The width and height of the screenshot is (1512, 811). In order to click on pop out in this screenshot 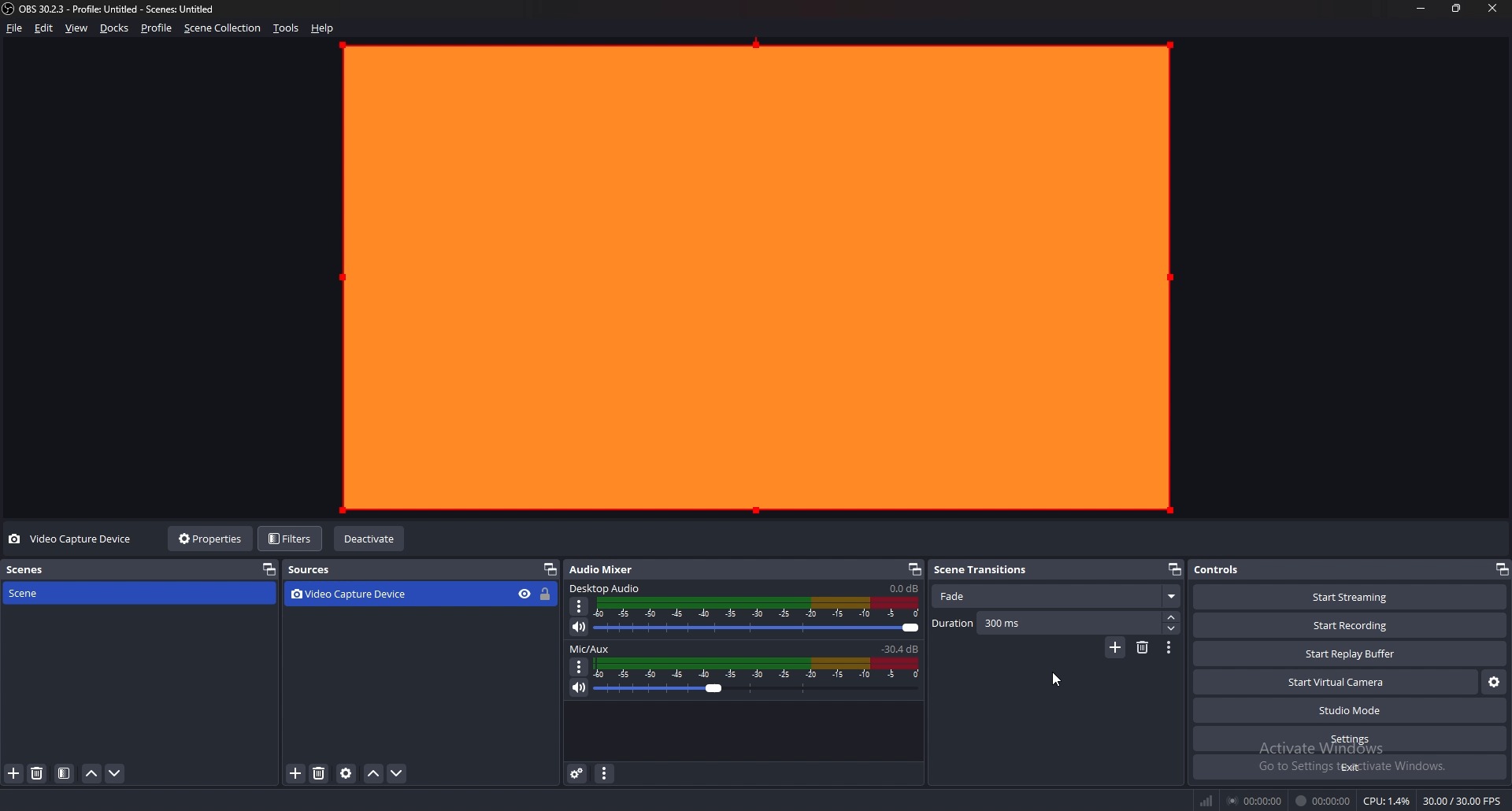, I will do `click(914, 569)`.